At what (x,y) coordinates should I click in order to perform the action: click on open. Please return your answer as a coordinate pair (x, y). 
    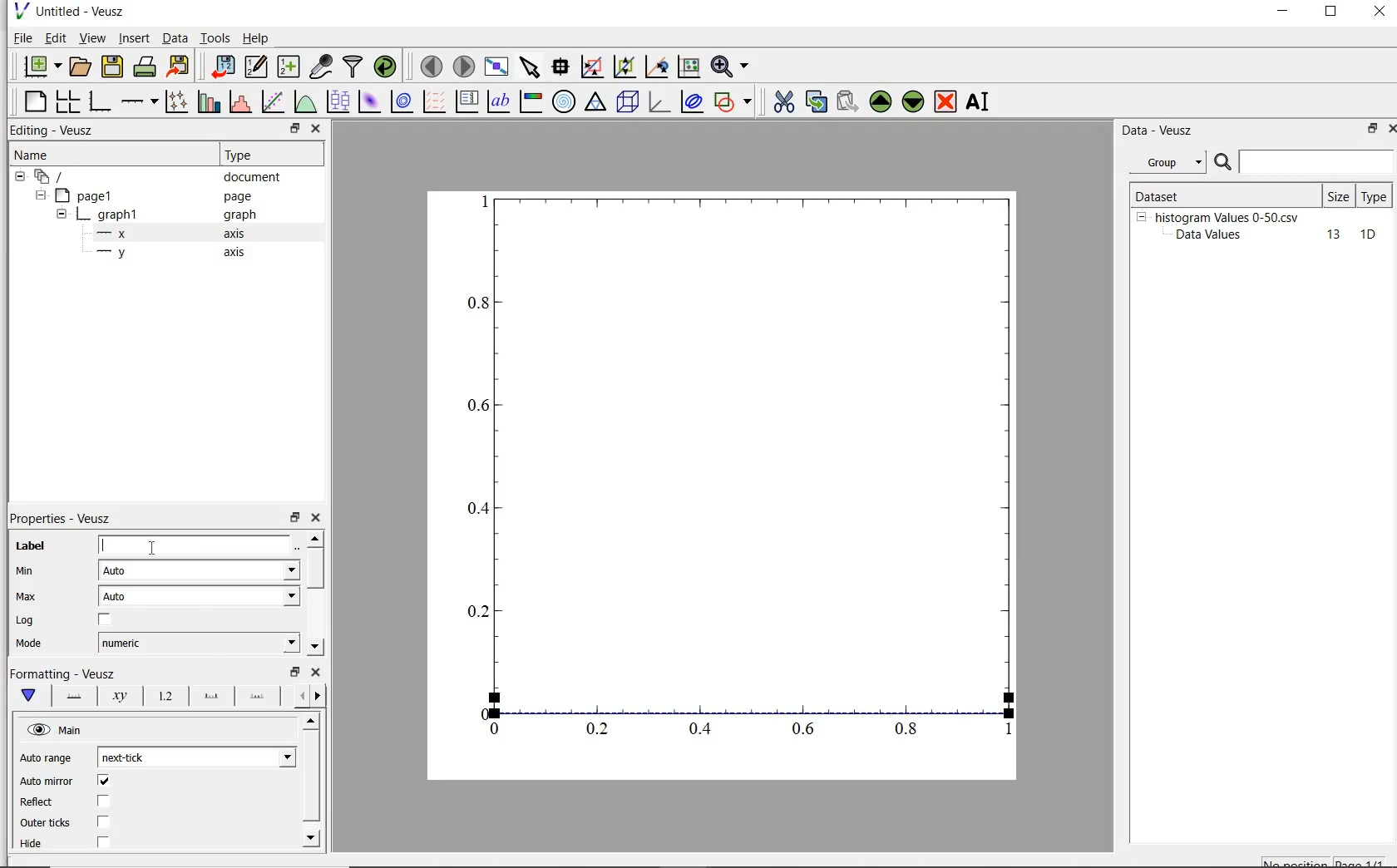
    Looking at the image, I should click on (82, 65).